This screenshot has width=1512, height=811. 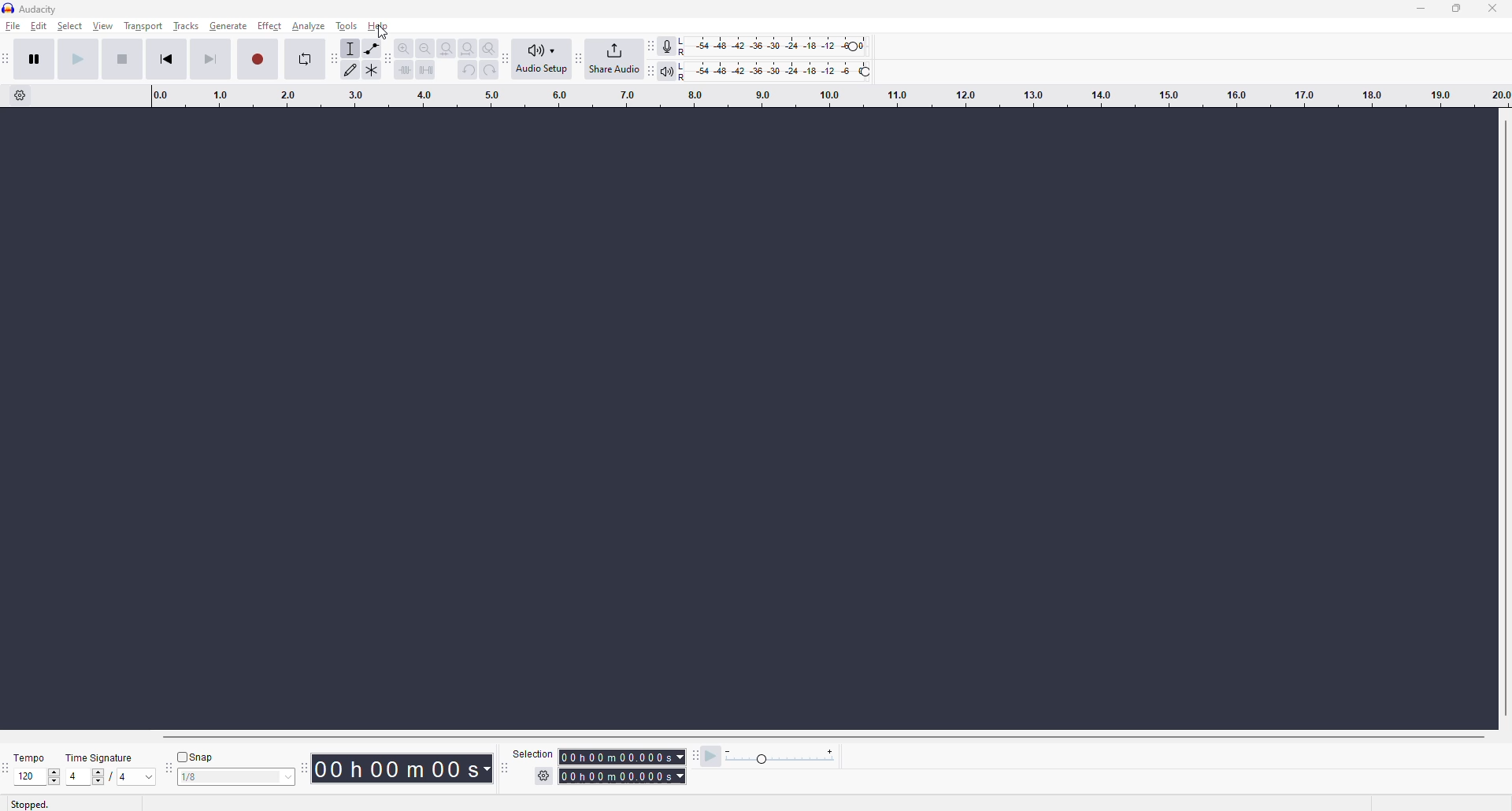 I want to click on stopped, so click(x=30, y=803).